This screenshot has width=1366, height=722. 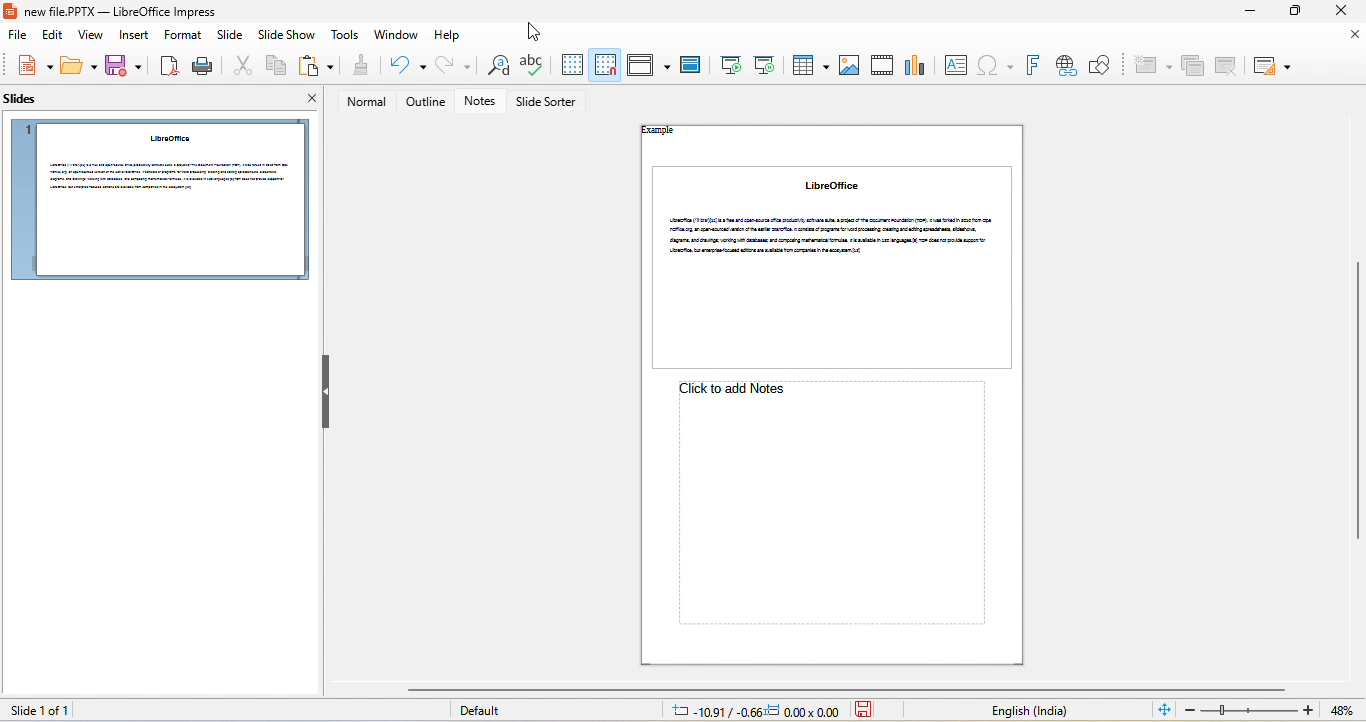 I want to click on vertical scrollbar, so click(x=1357, y=402).